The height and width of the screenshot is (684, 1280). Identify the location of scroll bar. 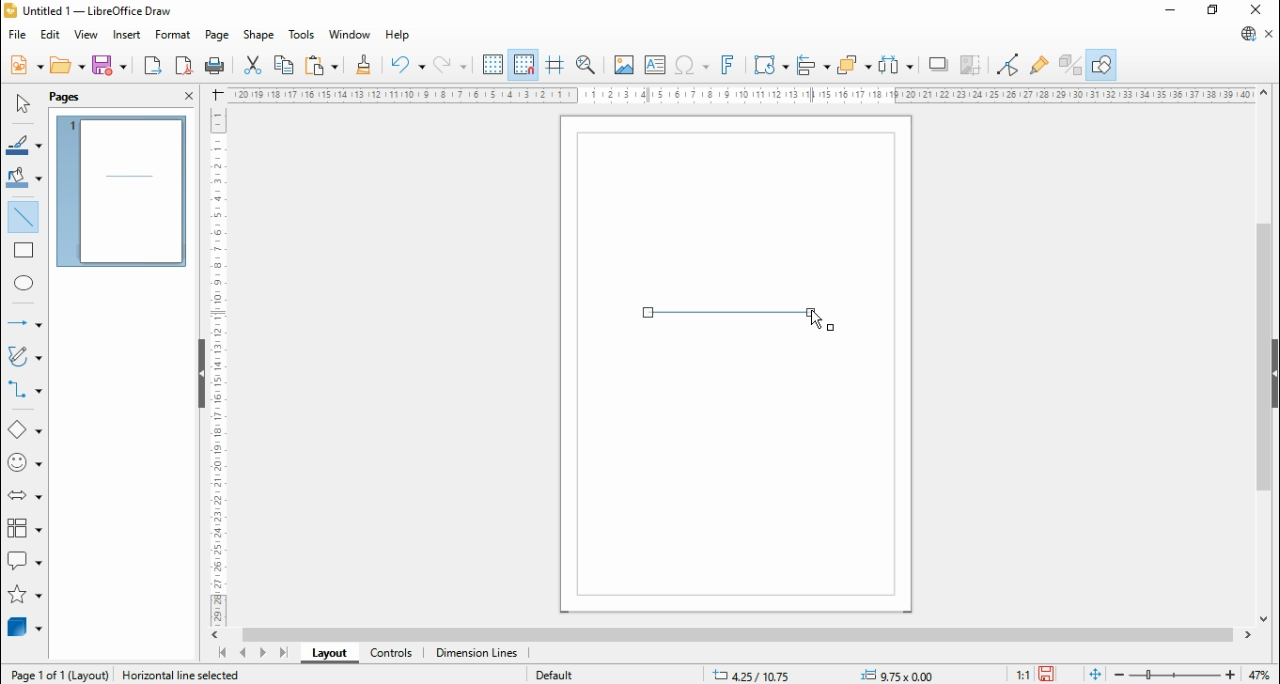
(737, 635).